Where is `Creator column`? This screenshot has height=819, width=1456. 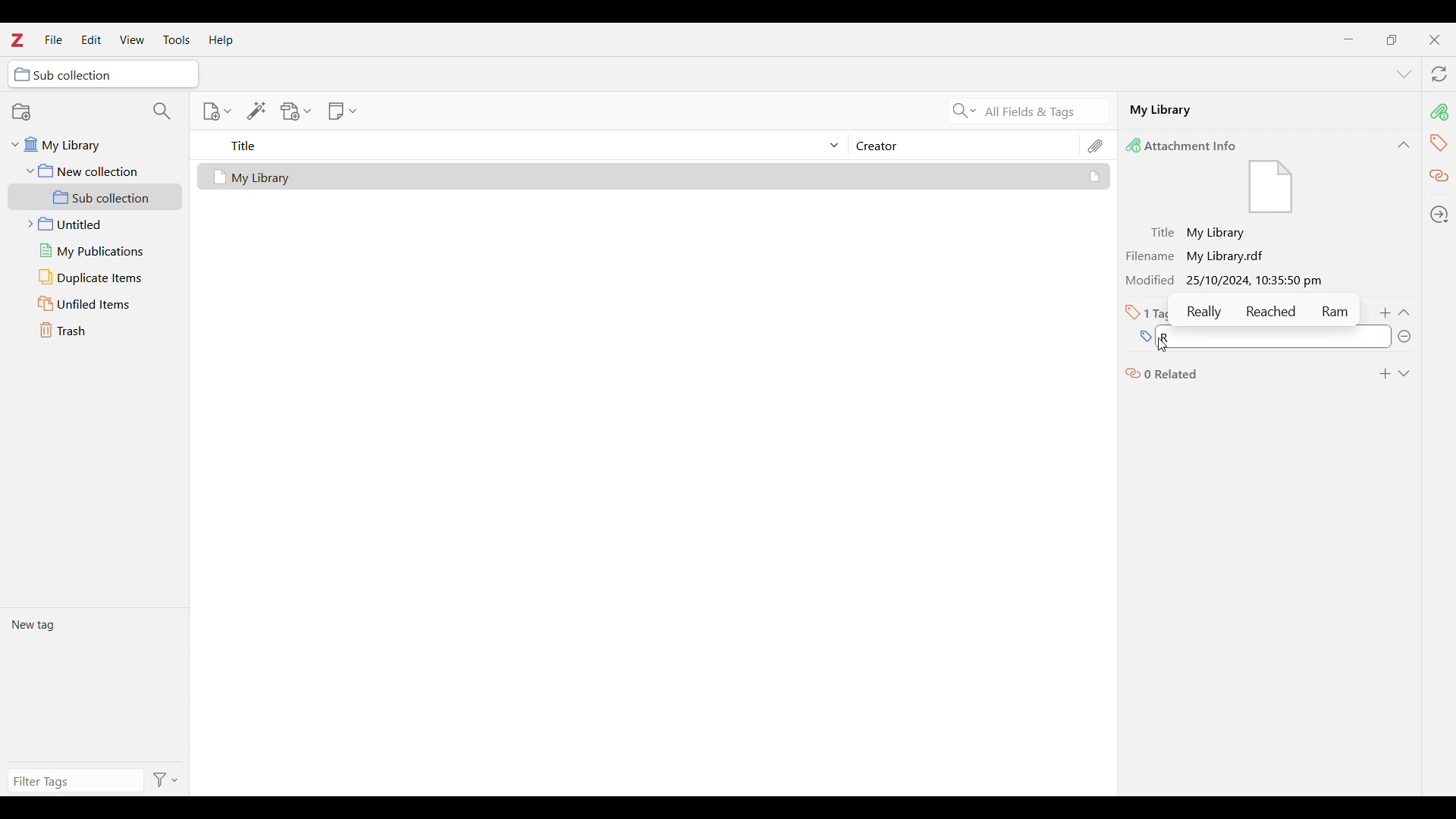 Creator column is located at coordinates (963, 145).